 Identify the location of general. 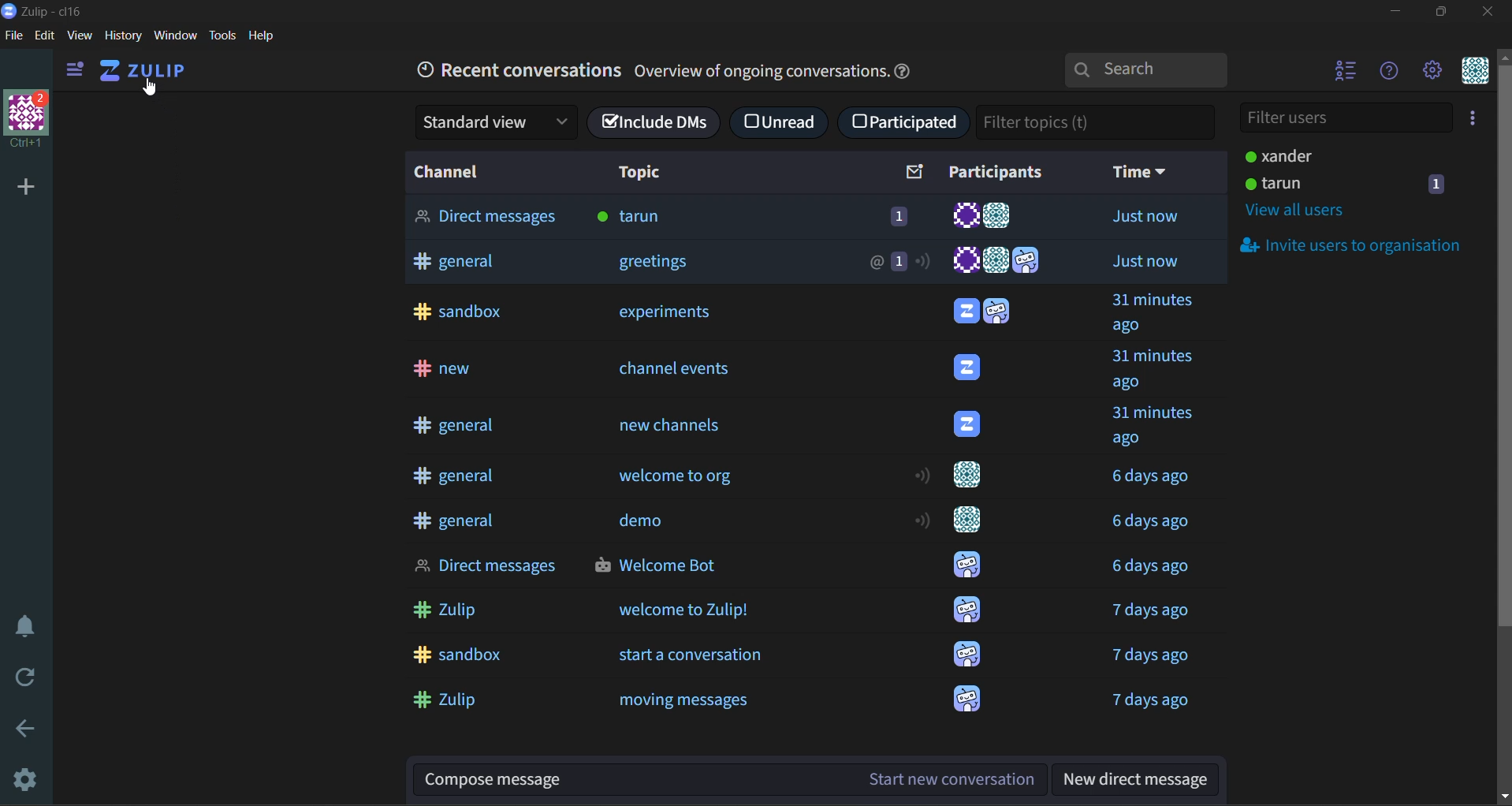
(457, 476).